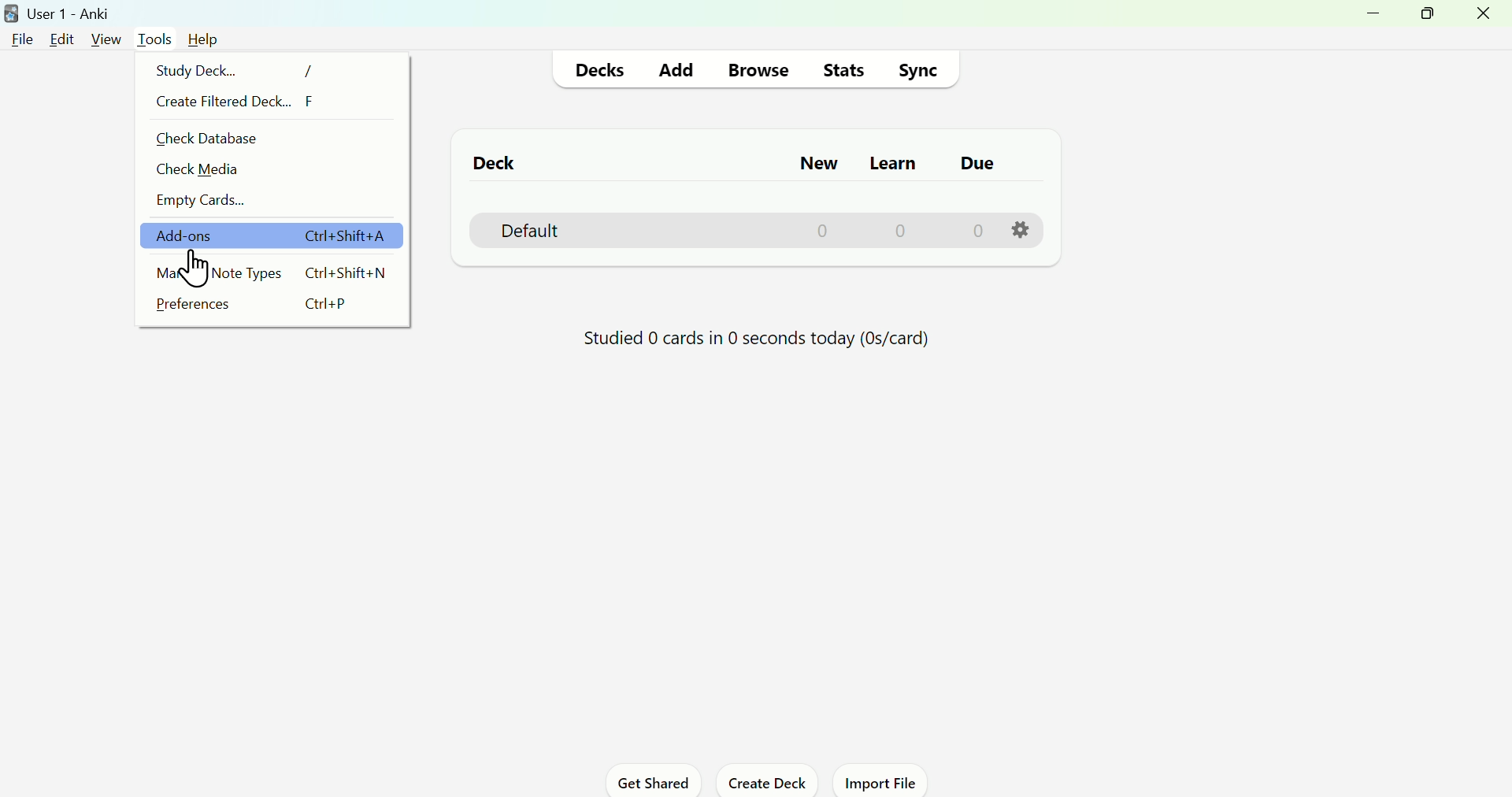  I want to click on Help, so click(207, 40).